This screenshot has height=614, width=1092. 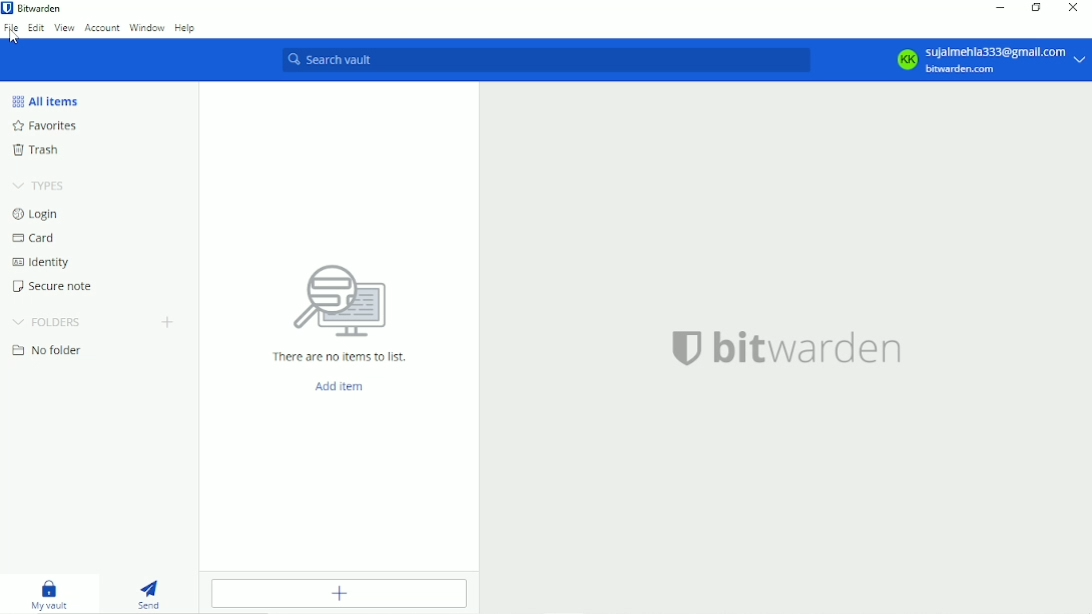 I want to click on Trash, so click(x=36, y=150).